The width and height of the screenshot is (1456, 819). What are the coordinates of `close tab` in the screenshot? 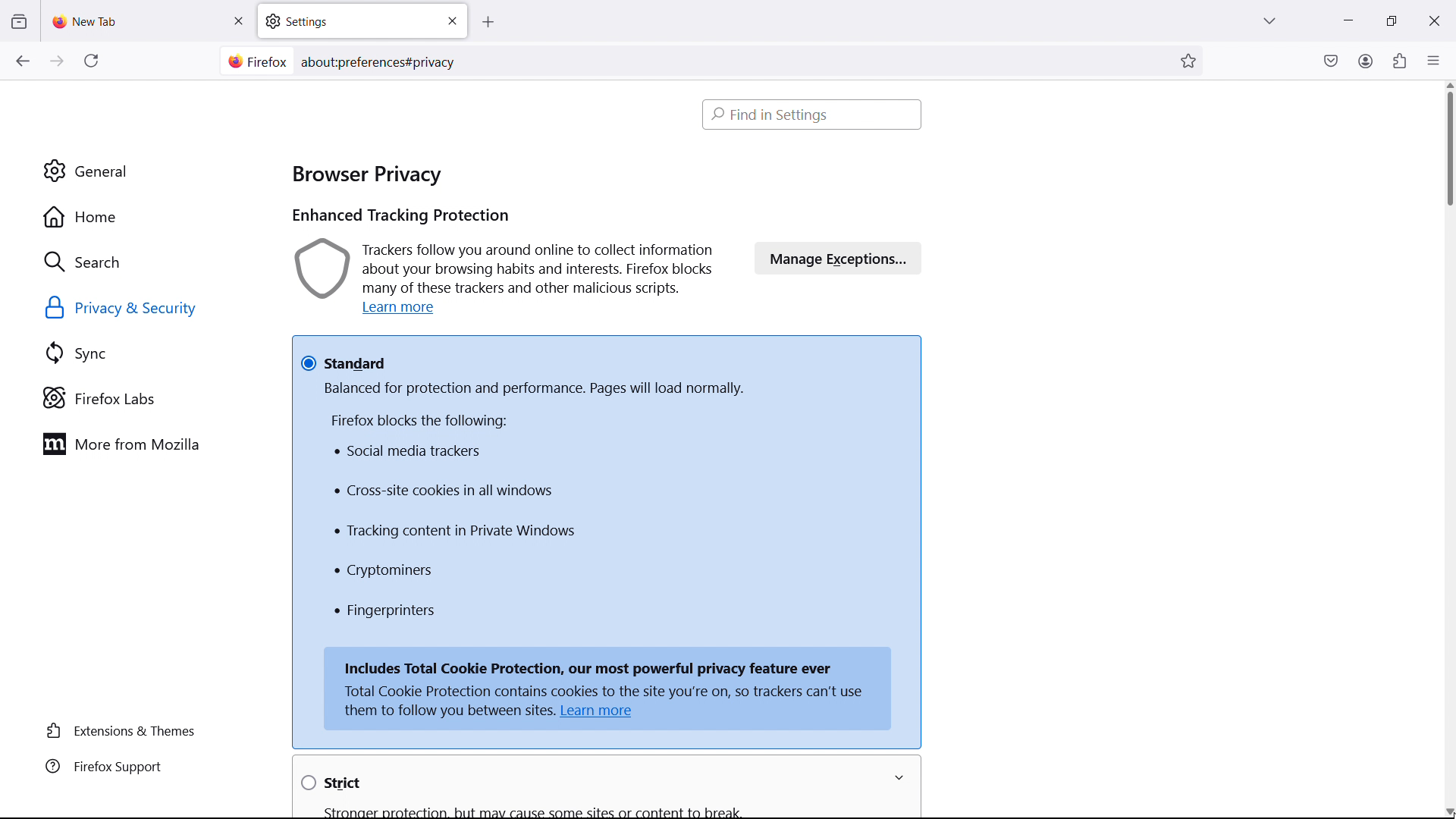 It's located at (238, 21).